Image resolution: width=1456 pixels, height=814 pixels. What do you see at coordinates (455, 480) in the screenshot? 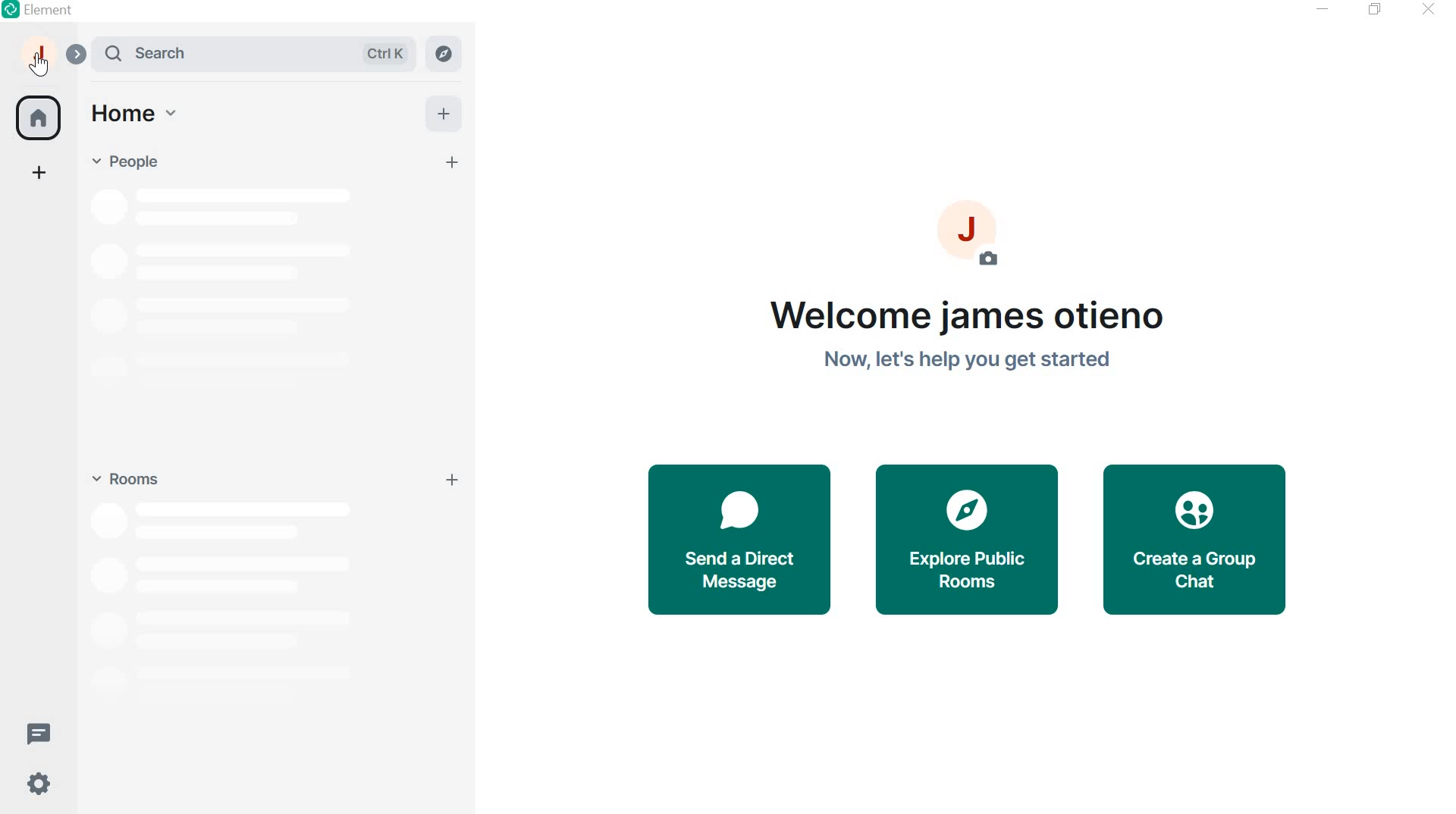
I see `ADD ROOMS` at bounding box center [455, 480].